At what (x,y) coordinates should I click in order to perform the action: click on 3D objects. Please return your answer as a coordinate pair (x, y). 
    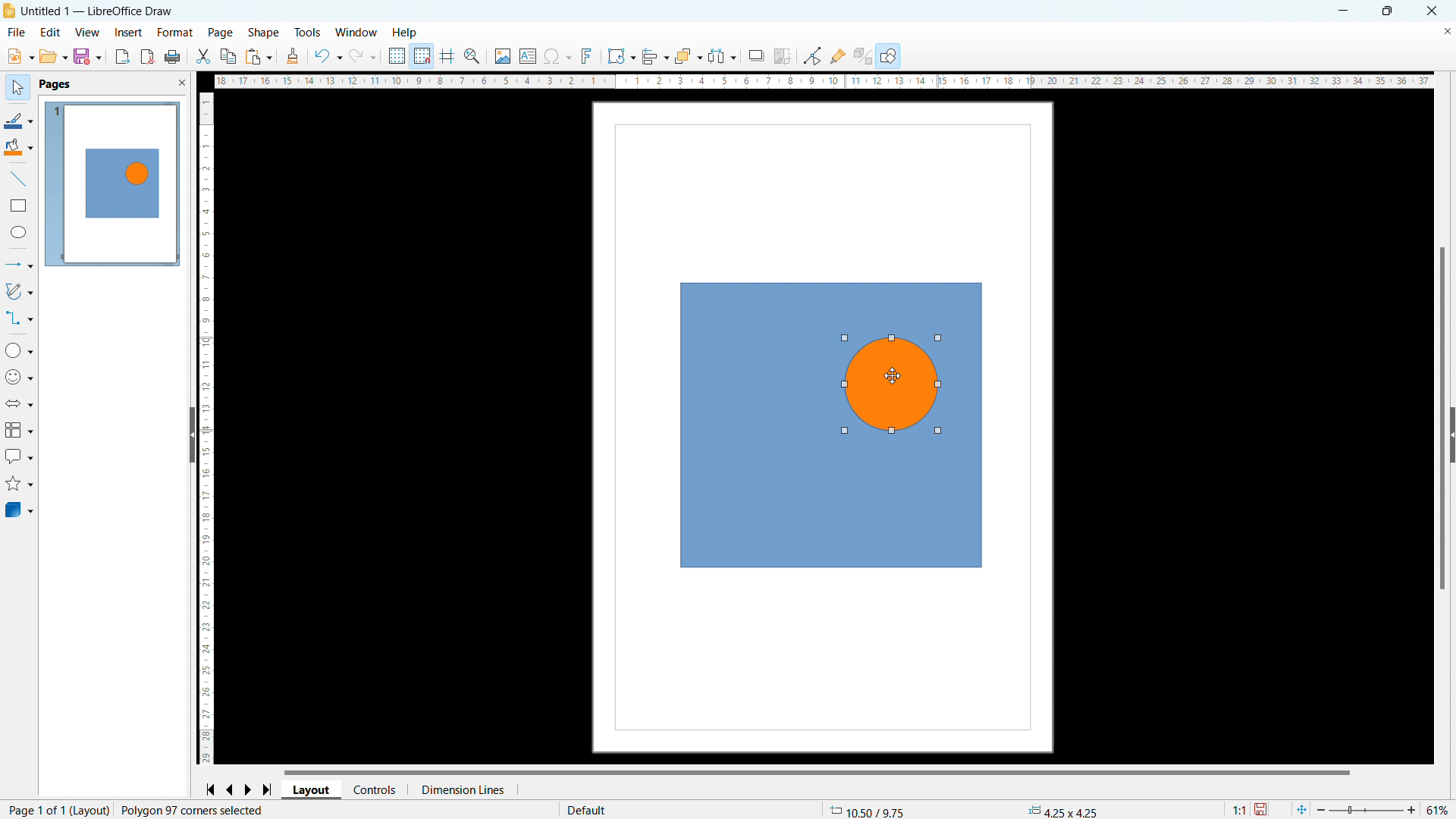
    Looking at the image, I should click on (17, 510).